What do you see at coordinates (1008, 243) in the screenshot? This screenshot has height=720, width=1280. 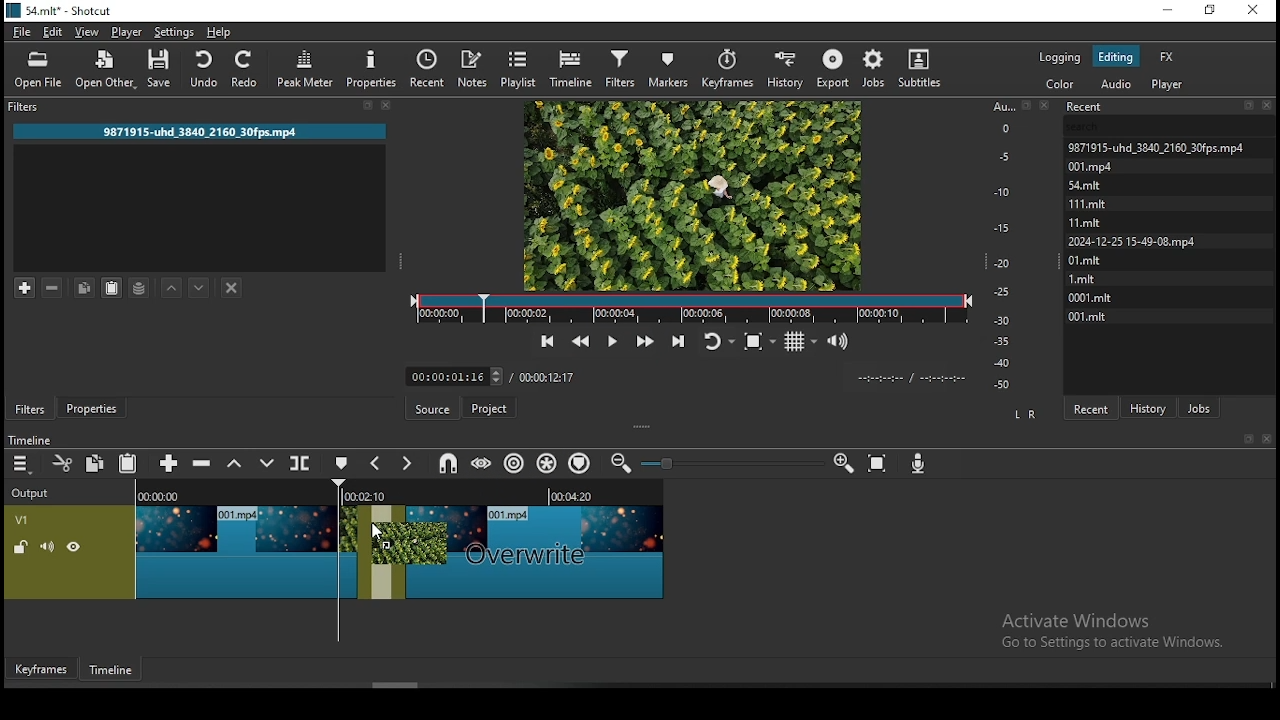 I see `scale` at bounding box center [1008, 243].